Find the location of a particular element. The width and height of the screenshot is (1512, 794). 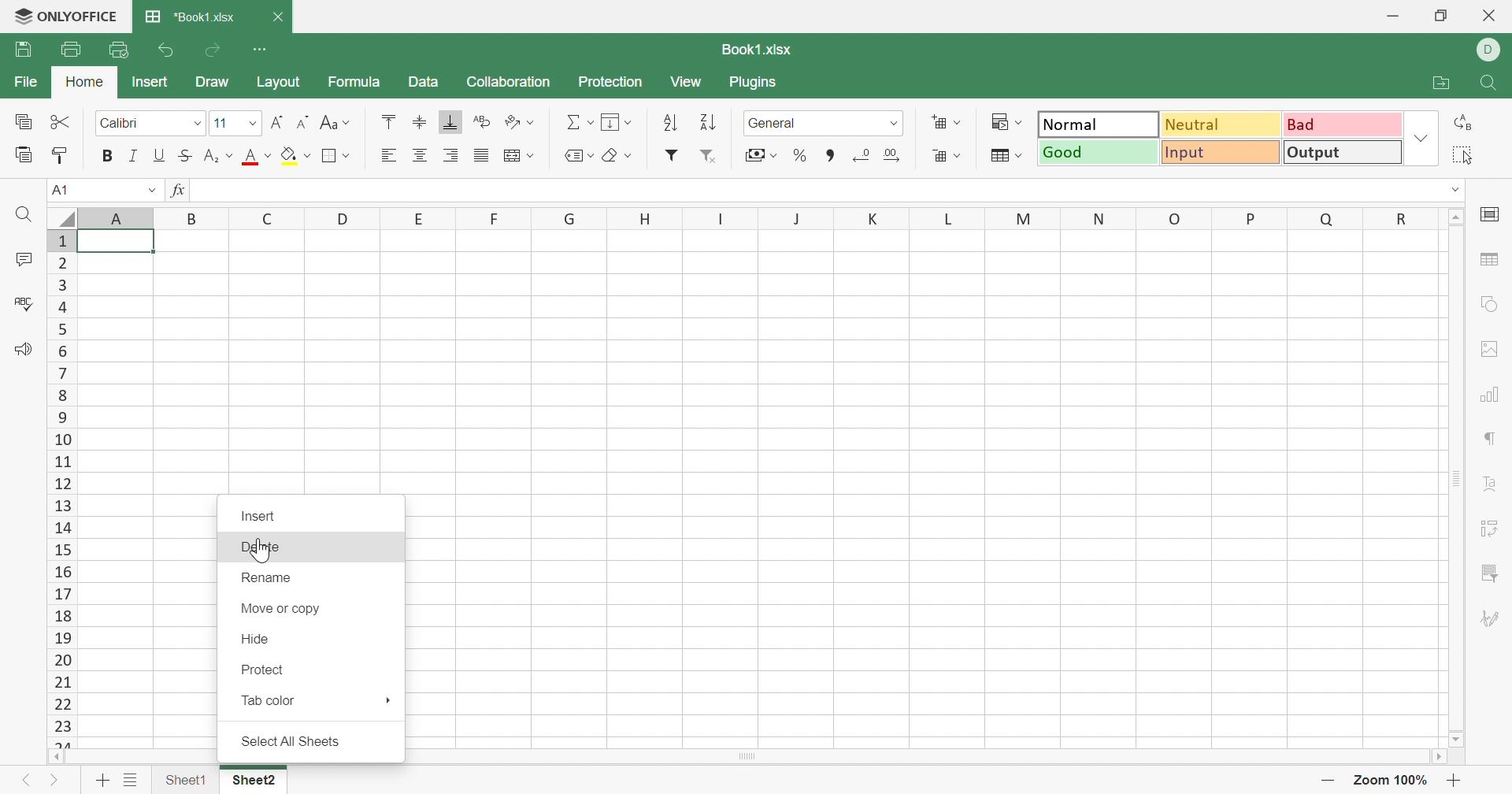

Hide is located at coordinates (256, 637).